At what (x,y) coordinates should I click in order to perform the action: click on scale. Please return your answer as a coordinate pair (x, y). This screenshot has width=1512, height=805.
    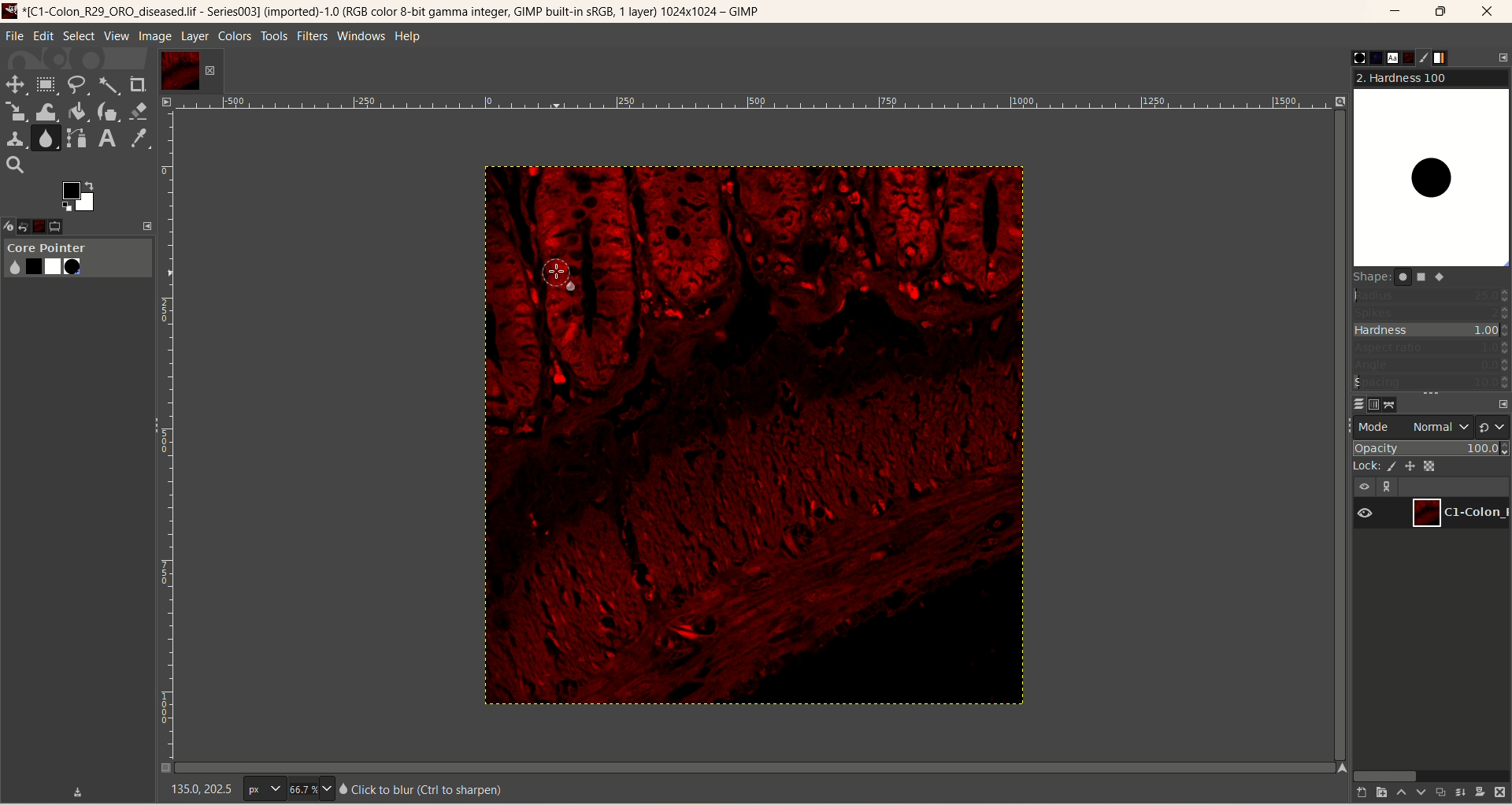
    Looking at the image, I should click on (16, 112).